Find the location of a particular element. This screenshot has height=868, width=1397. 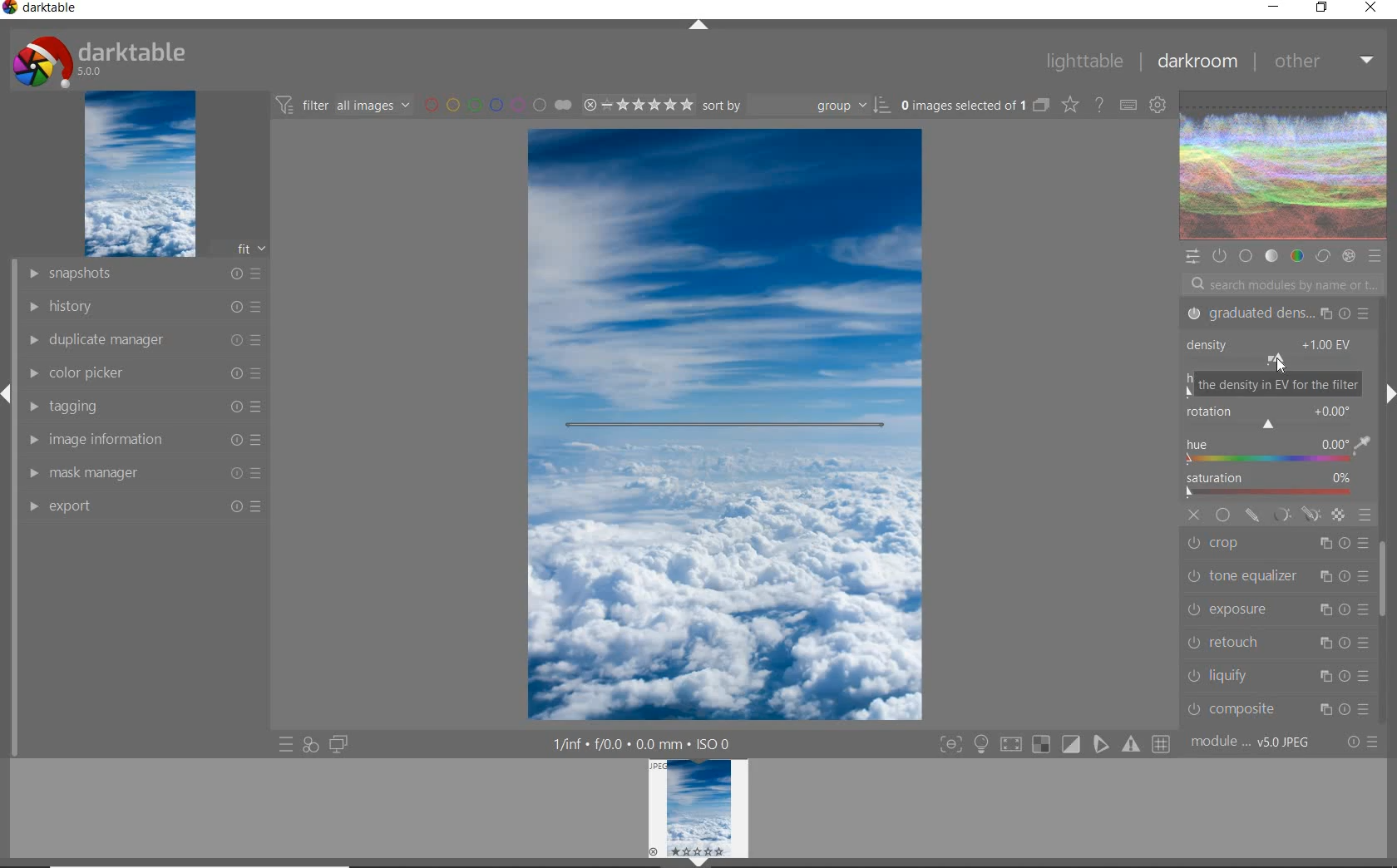

QUICK ACCESS TO PRESET is located at coordinates (285, 745).